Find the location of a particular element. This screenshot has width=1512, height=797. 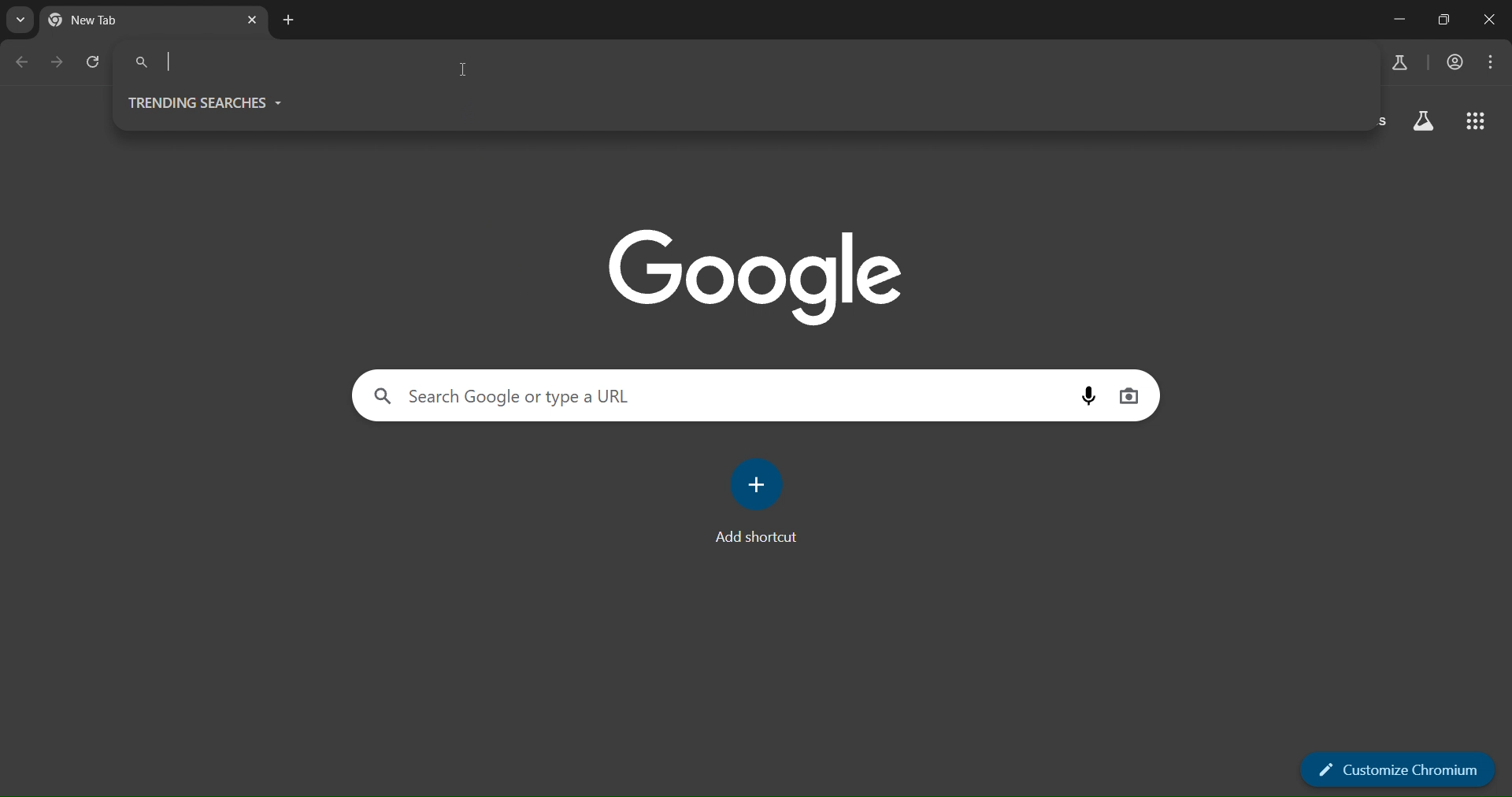

cursor is located at coordinates (465, 71).